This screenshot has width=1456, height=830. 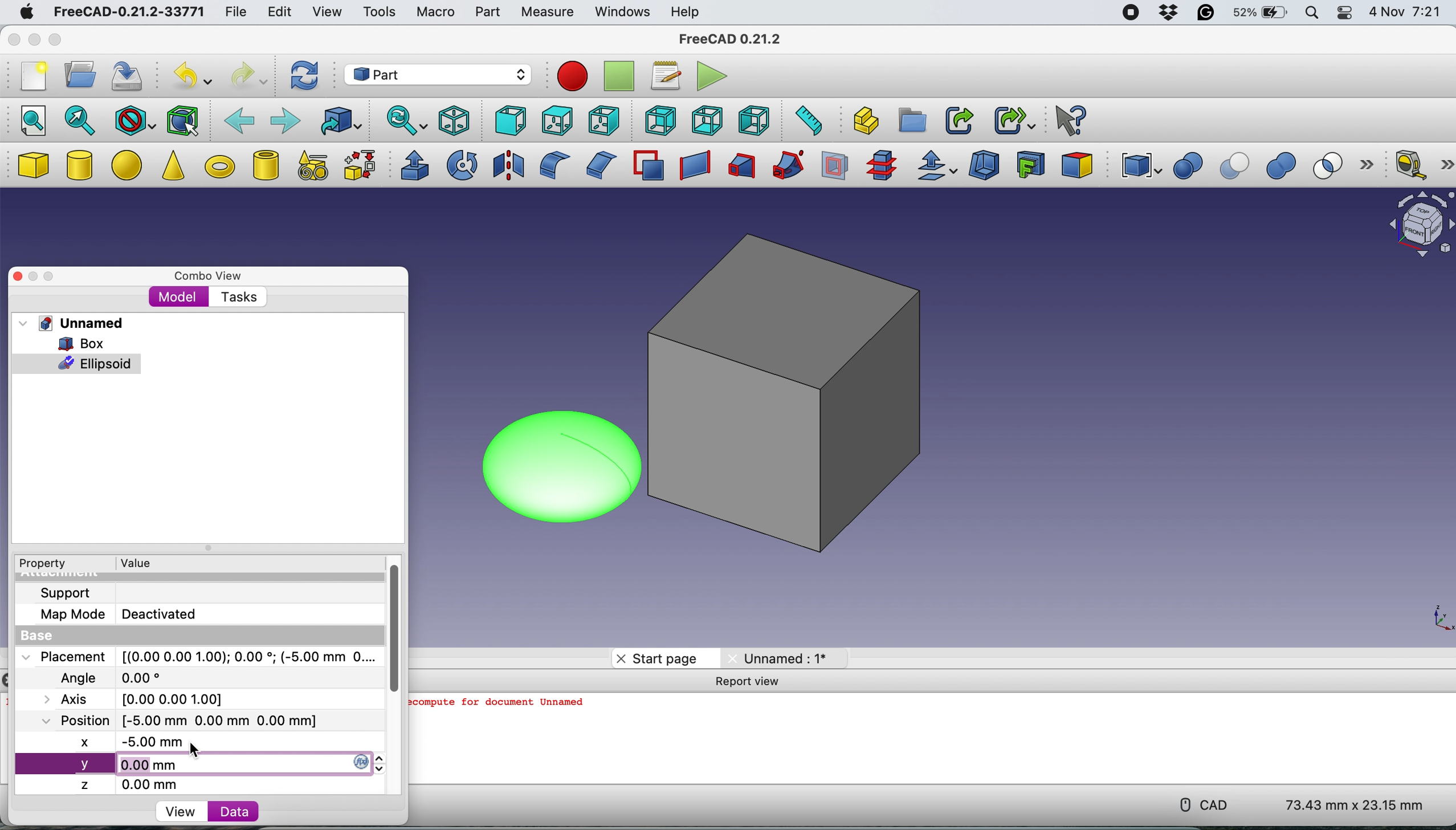 I want to click on macros, so click(x=663, y=76).